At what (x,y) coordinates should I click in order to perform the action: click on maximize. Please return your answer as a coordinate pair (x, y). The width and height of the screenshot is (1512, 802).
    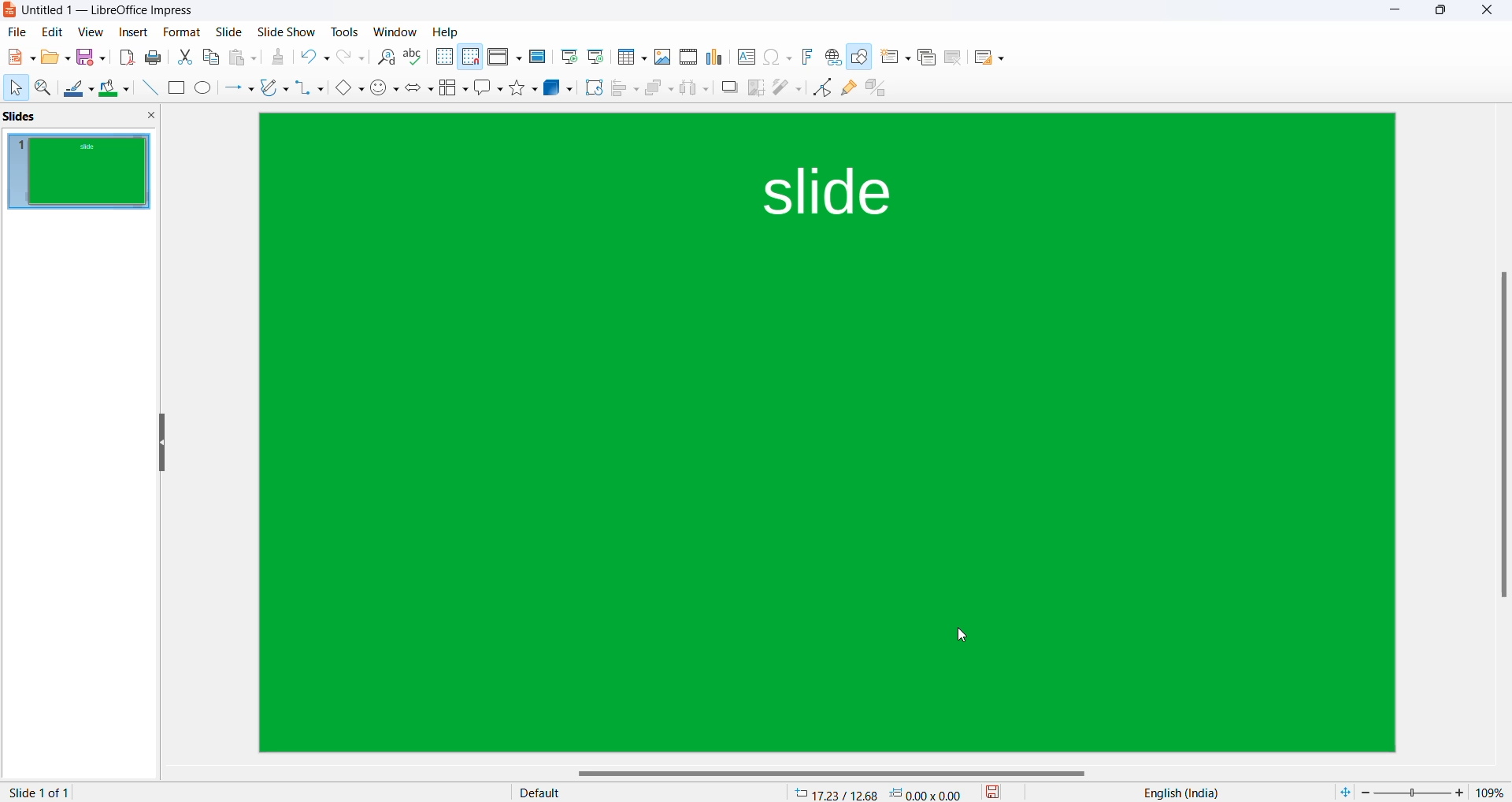
    Looking at the image, I should click on (1442, 13).